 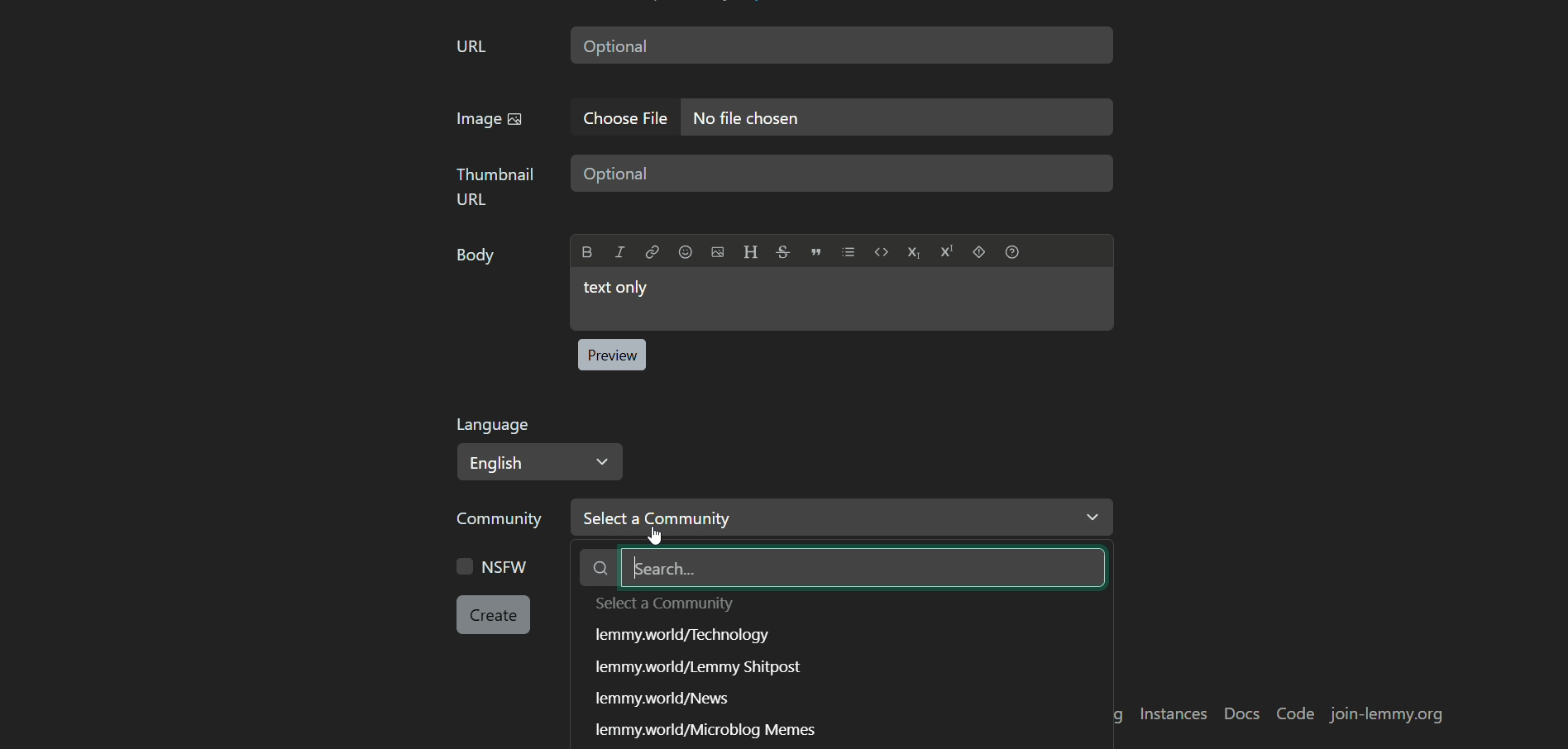 What do you see at coordinates (652, 251) in the screenshot?
I see `Link` at bounding box center [652, 251].